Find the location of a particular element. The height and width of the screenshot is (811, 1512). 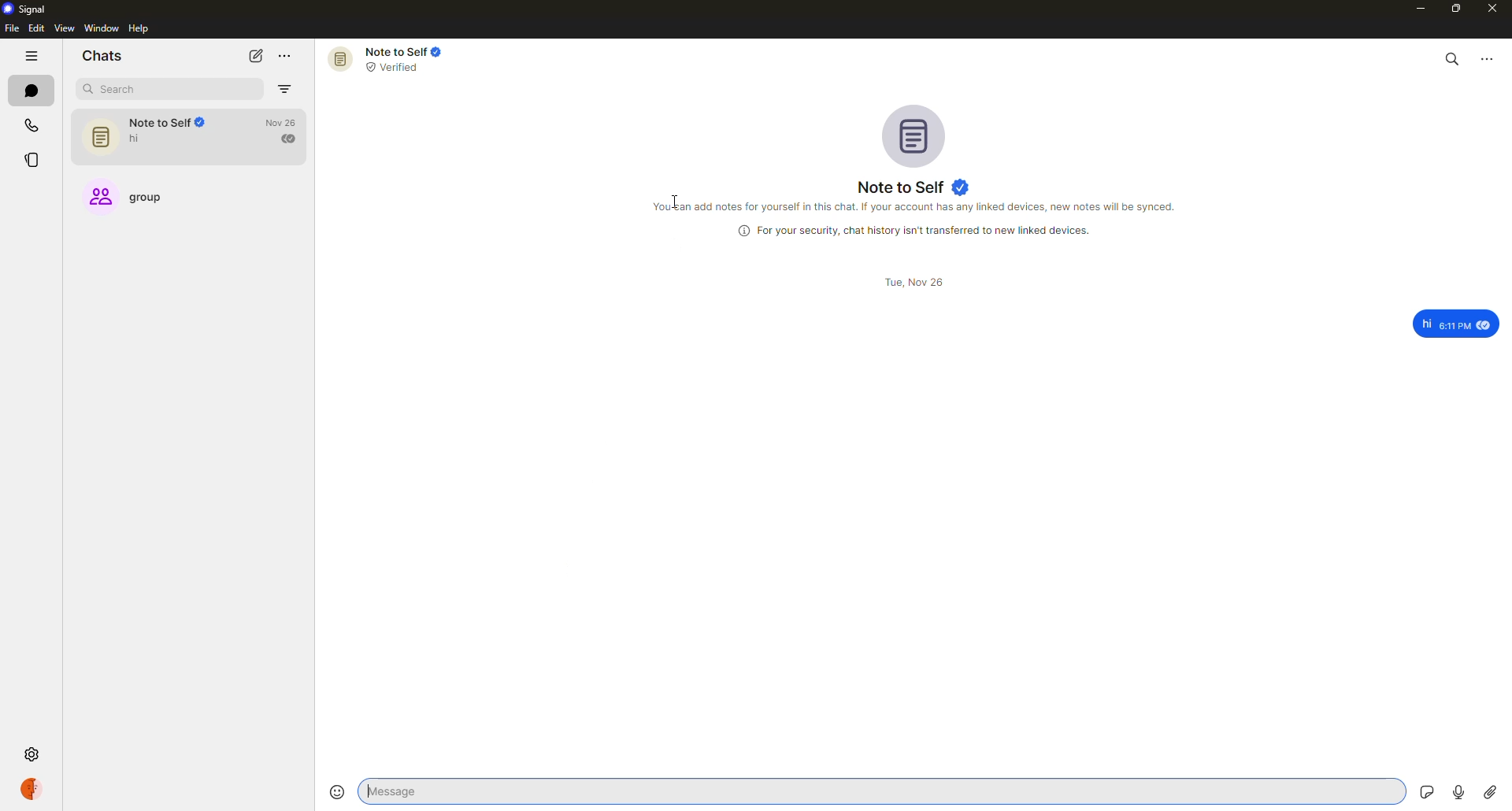

more is located at coordinates (285, 55).